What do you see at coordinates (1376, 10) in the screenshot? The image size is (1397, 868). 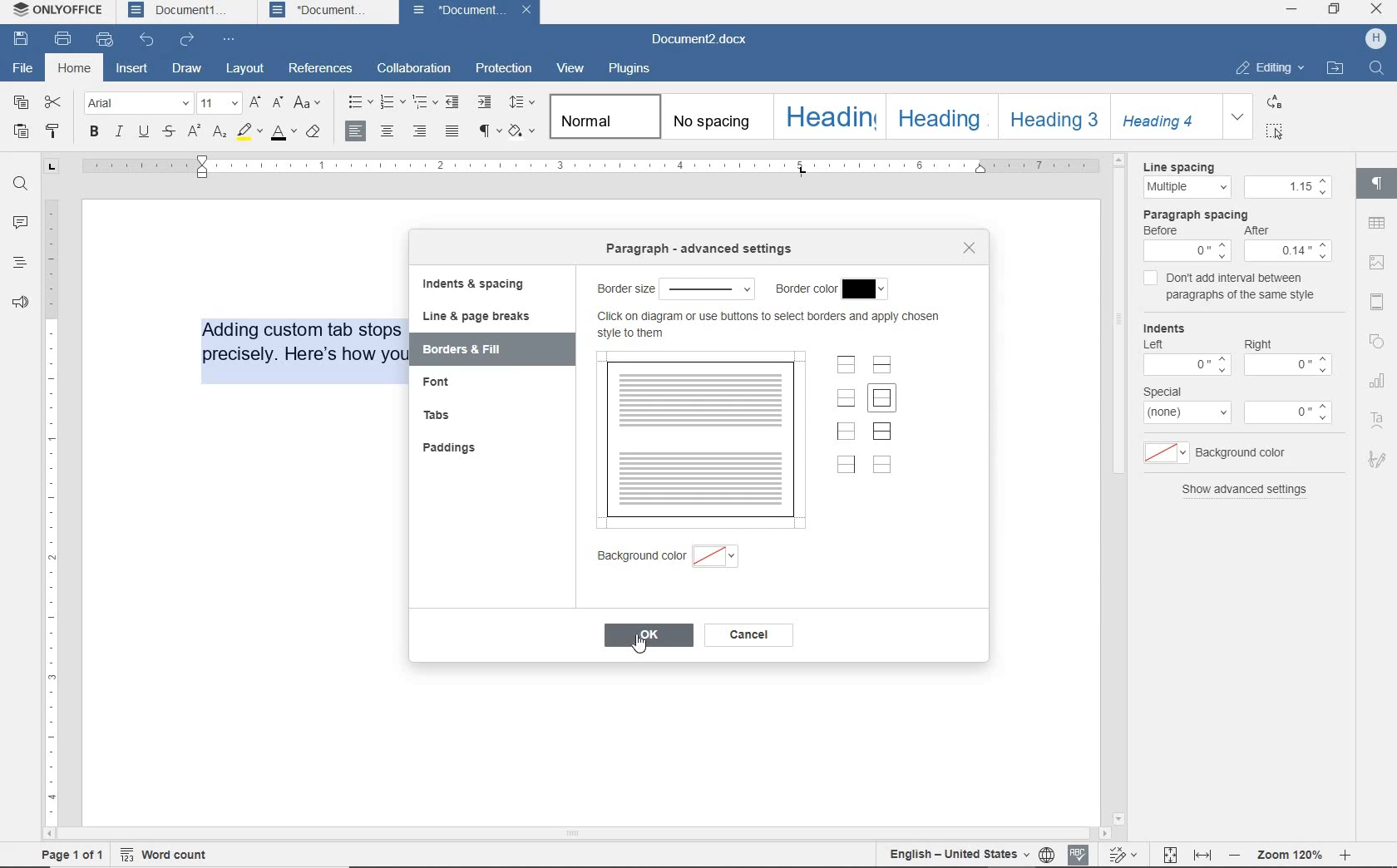 I see `close` at bounding box center [1376, 10].